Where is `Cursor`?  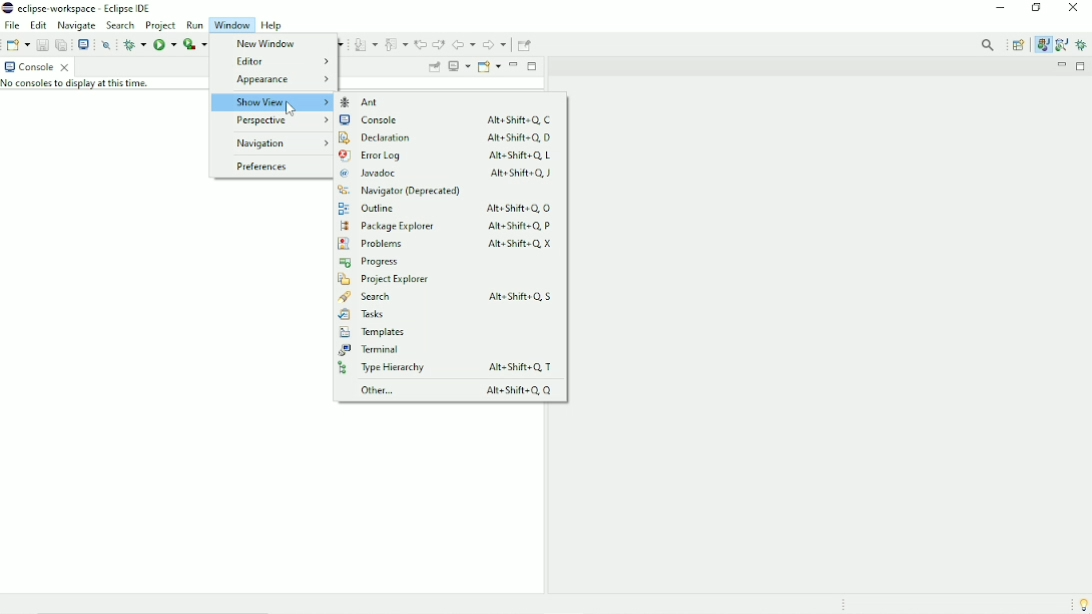 Cursor is located at coordinates (289, 110).